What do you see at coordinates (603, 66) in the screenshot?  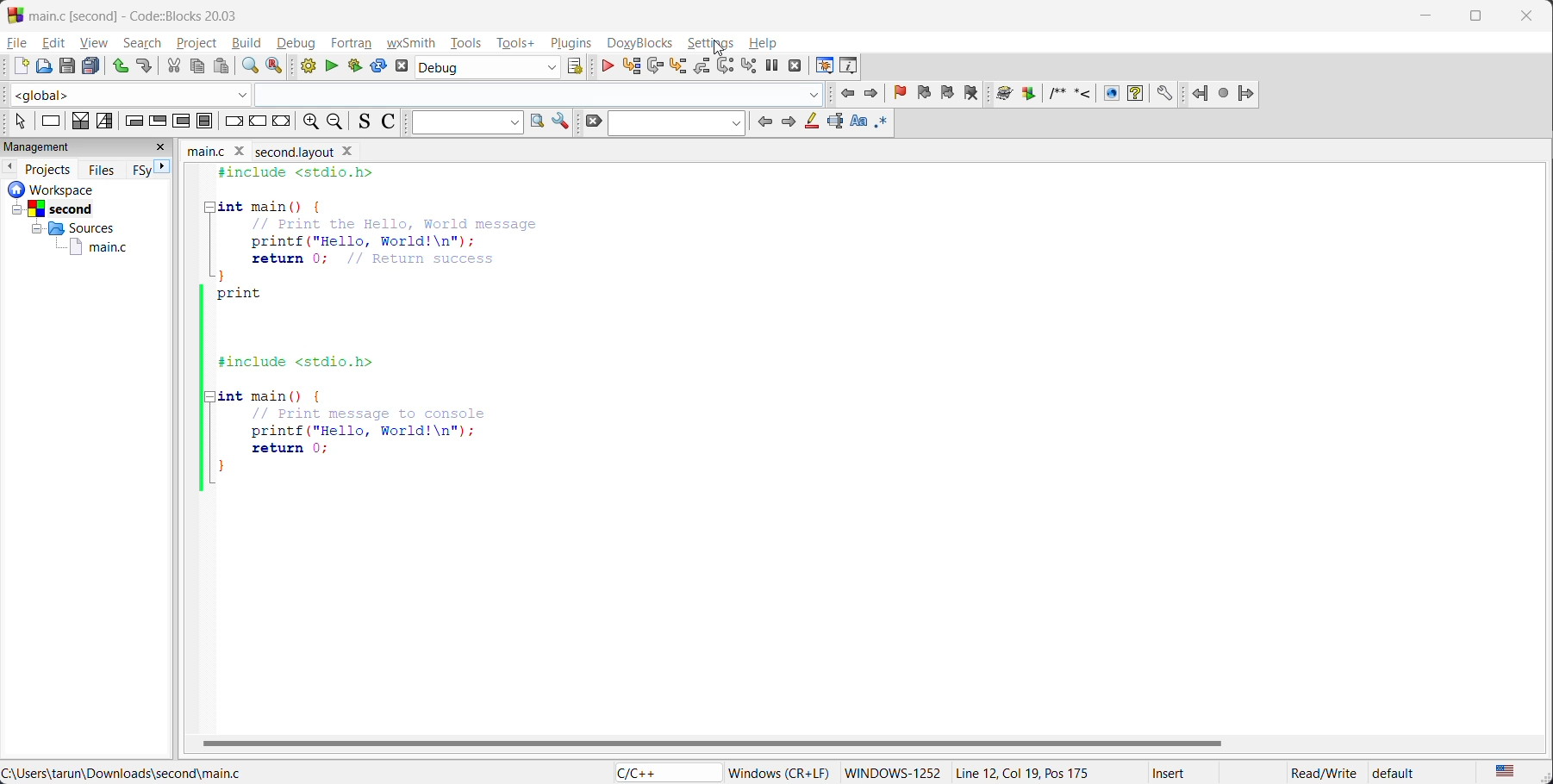 I see `continue` at bounding box center [603, 66].